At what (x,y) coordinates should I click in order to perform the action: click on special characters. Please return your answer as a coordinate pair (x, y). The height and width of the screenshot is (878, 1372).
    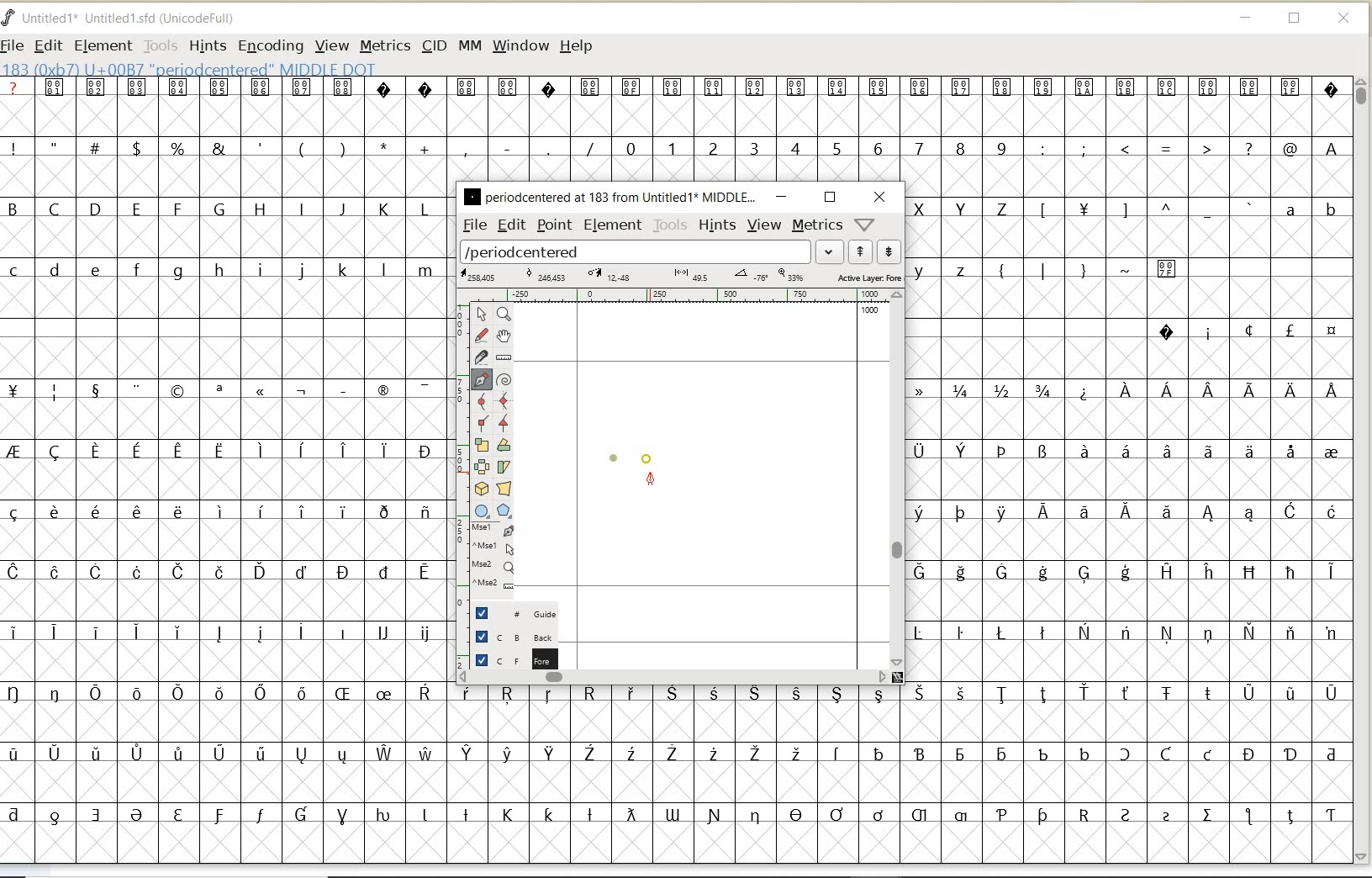
    Looking at the image, I should click on (300, 147).